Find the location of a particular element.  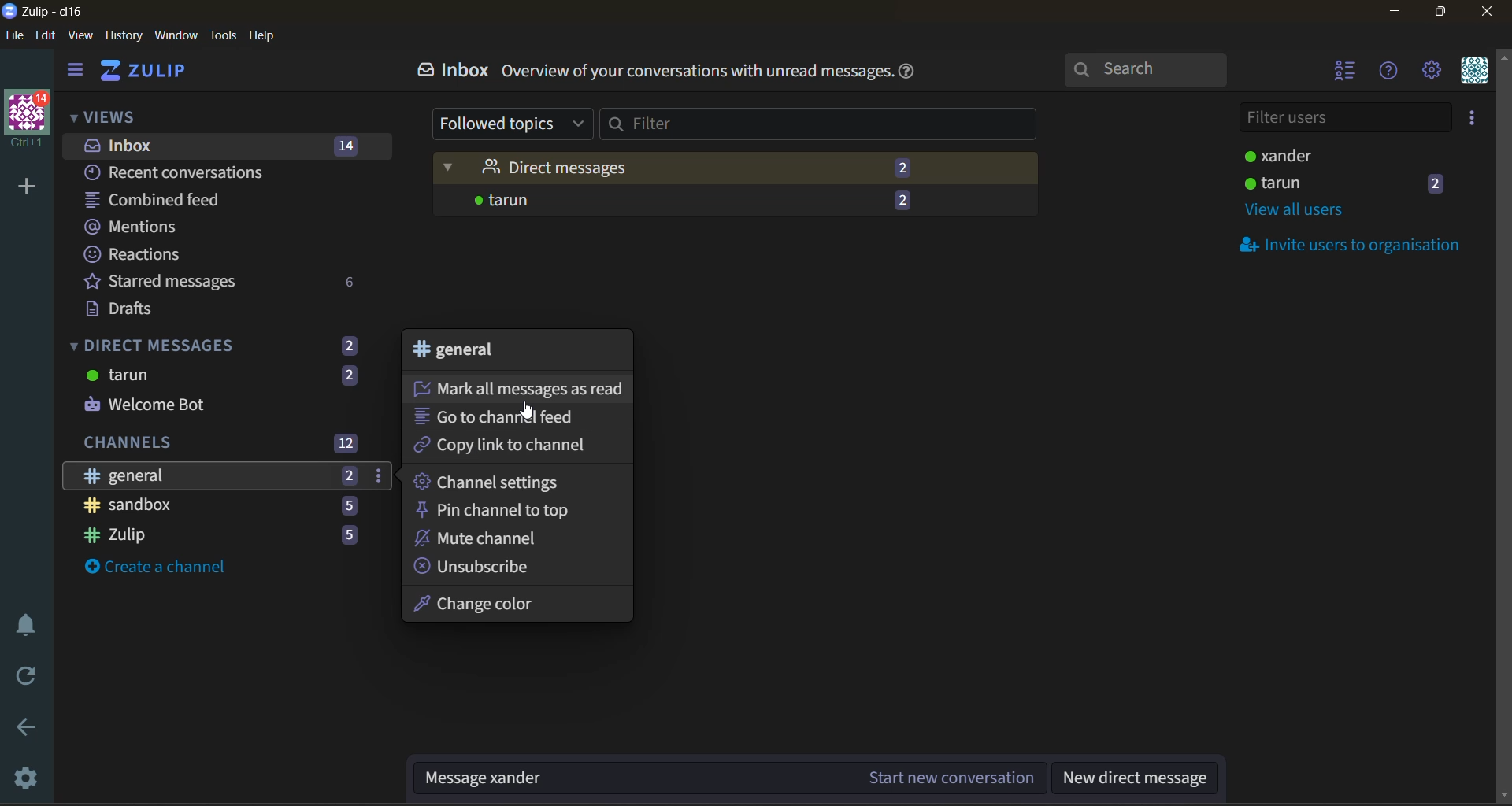

direct messages (2) is located at coordinates (736, 168).